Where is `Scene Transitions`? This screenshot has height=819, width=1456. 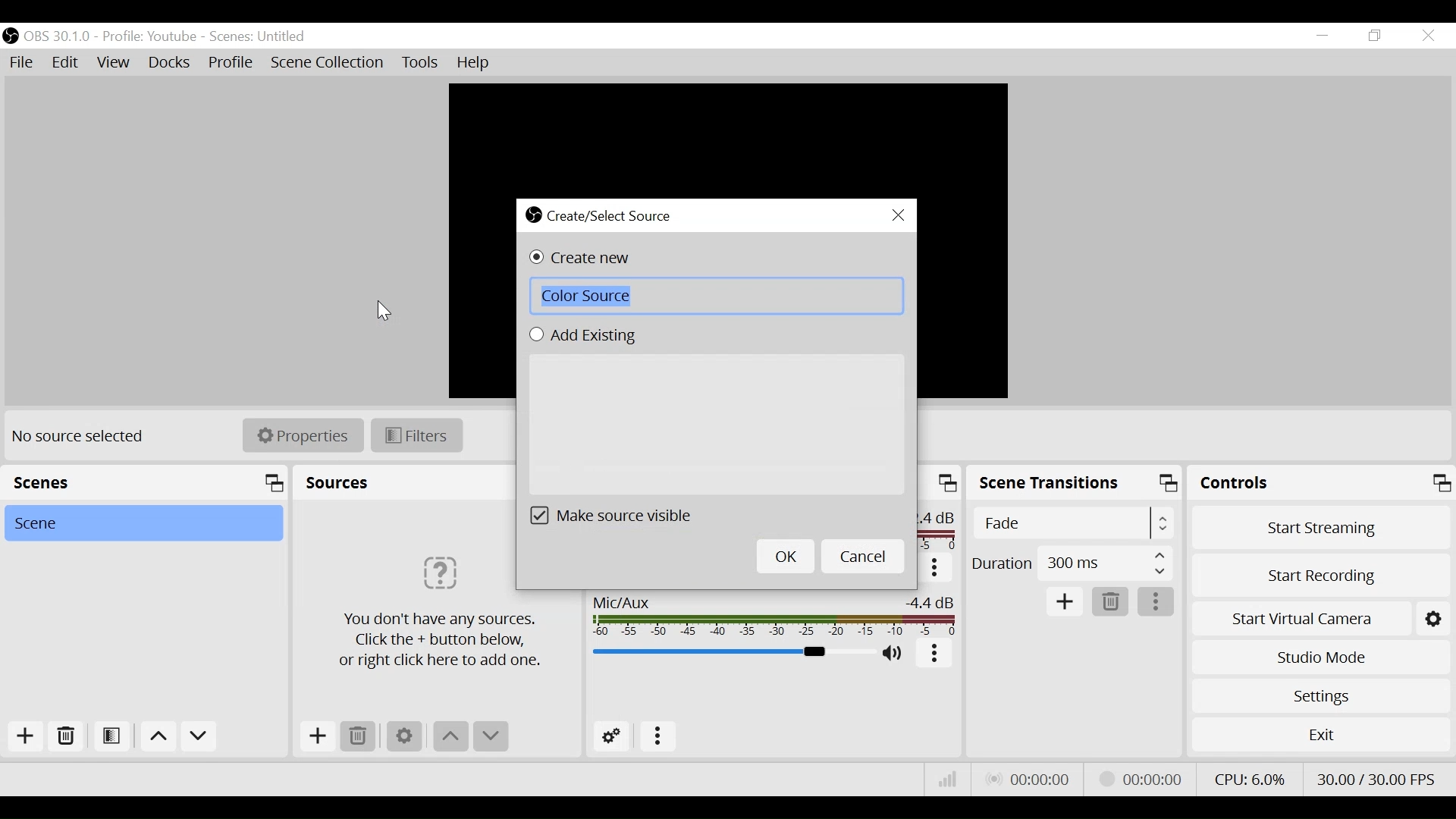
Scene Transitions is located at coordinates (1076, 485).